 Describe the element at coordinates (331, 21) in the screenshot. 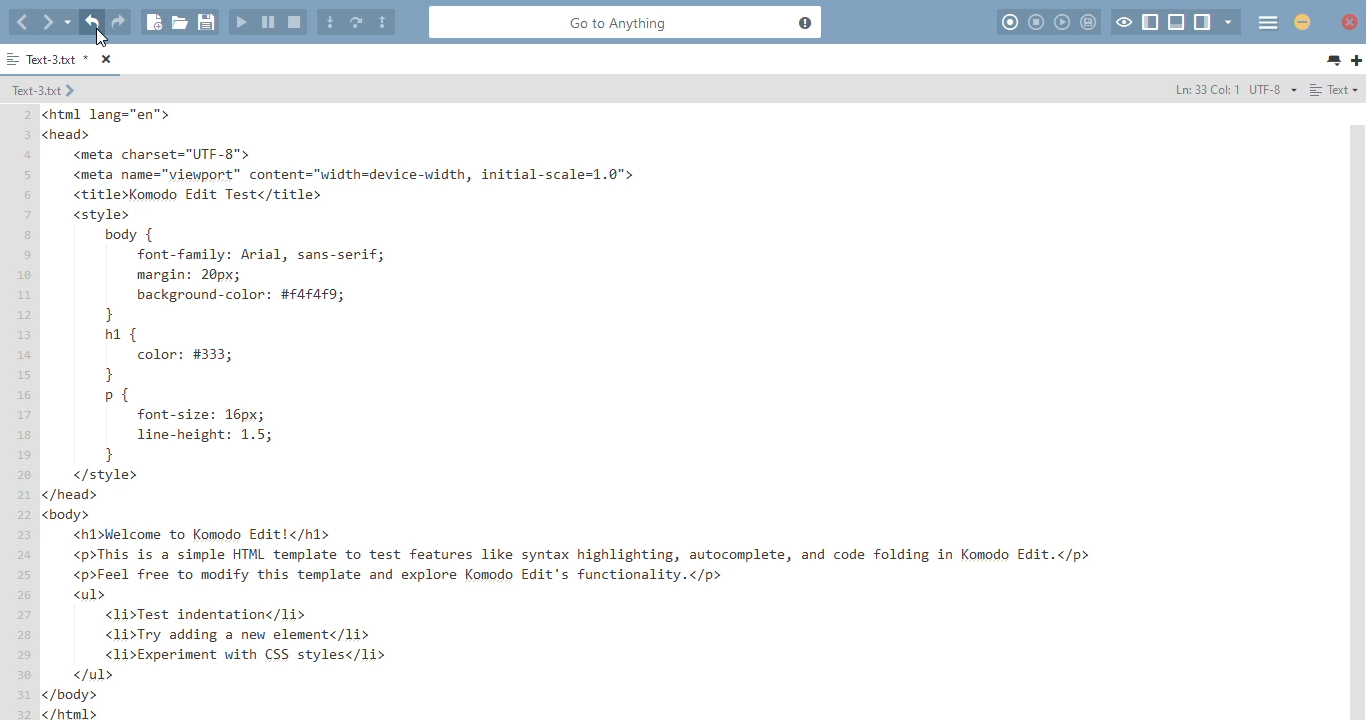

I see `step into the code in the current line` at that location.